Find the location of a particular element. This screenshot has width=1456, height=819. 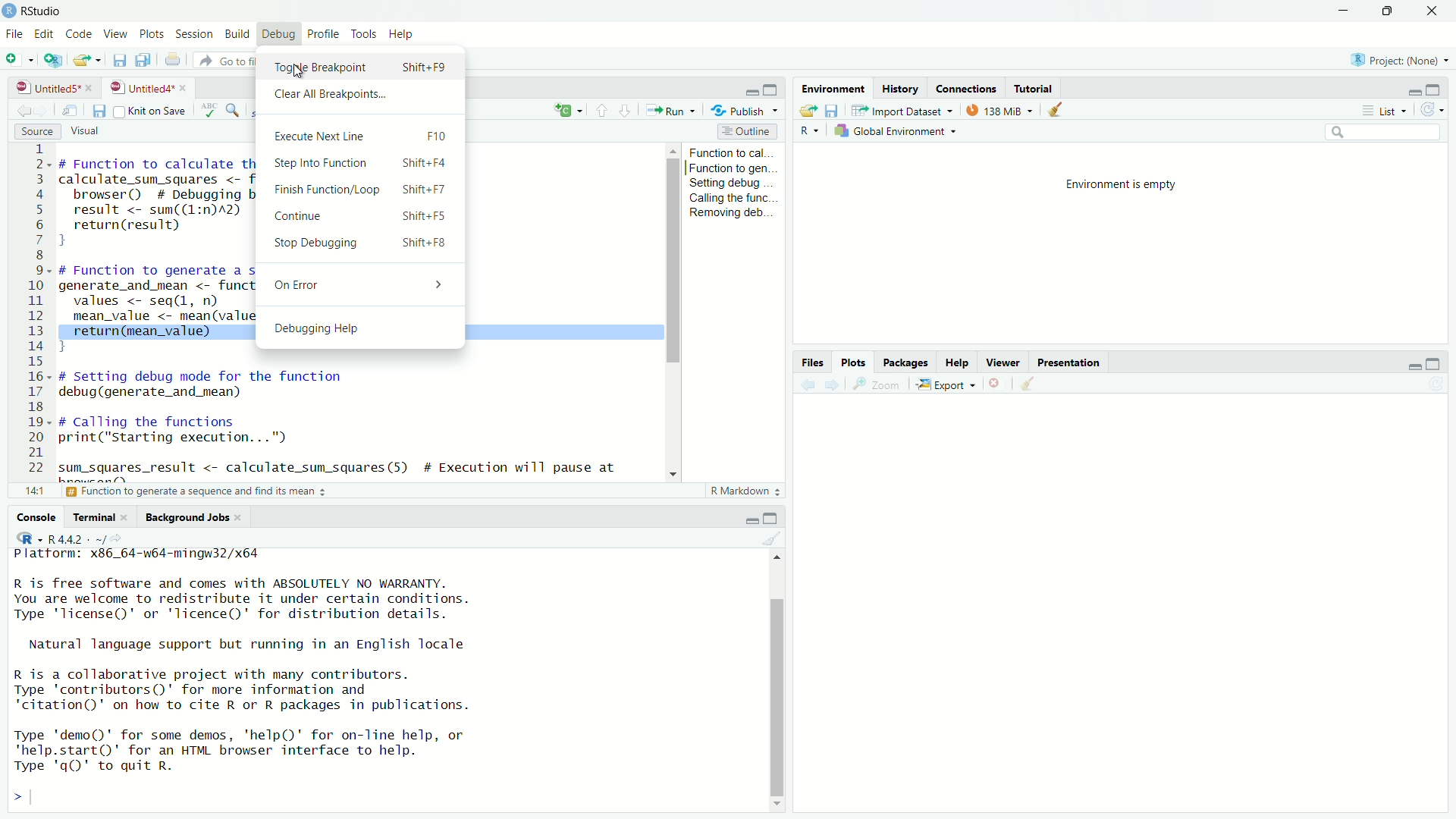

Toggle Breakpoint is located at coordinates (366, 65).